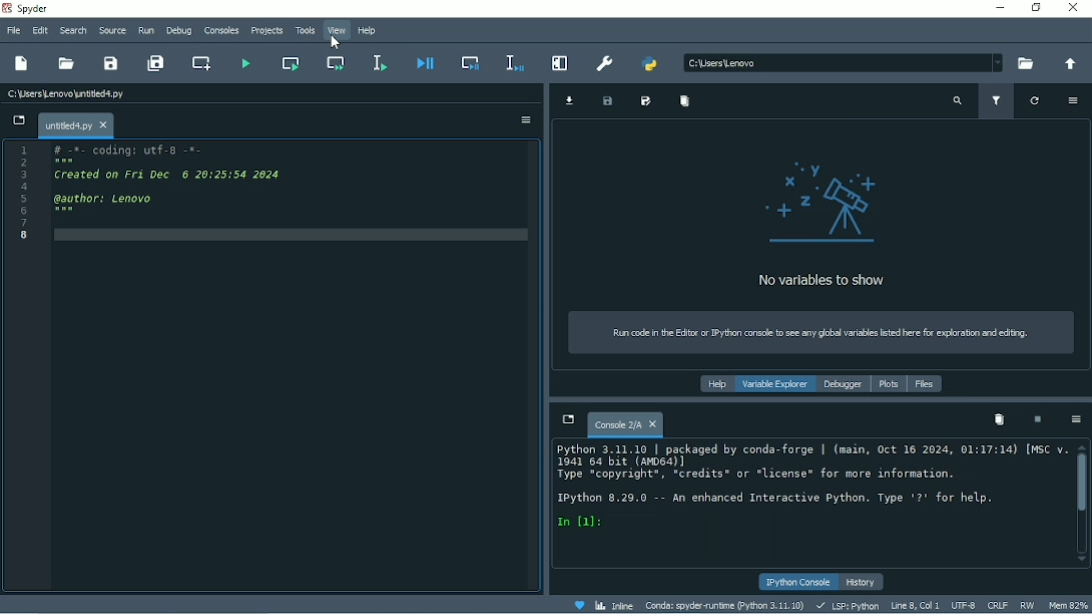  I want to click on Options, so click(1076, 421).